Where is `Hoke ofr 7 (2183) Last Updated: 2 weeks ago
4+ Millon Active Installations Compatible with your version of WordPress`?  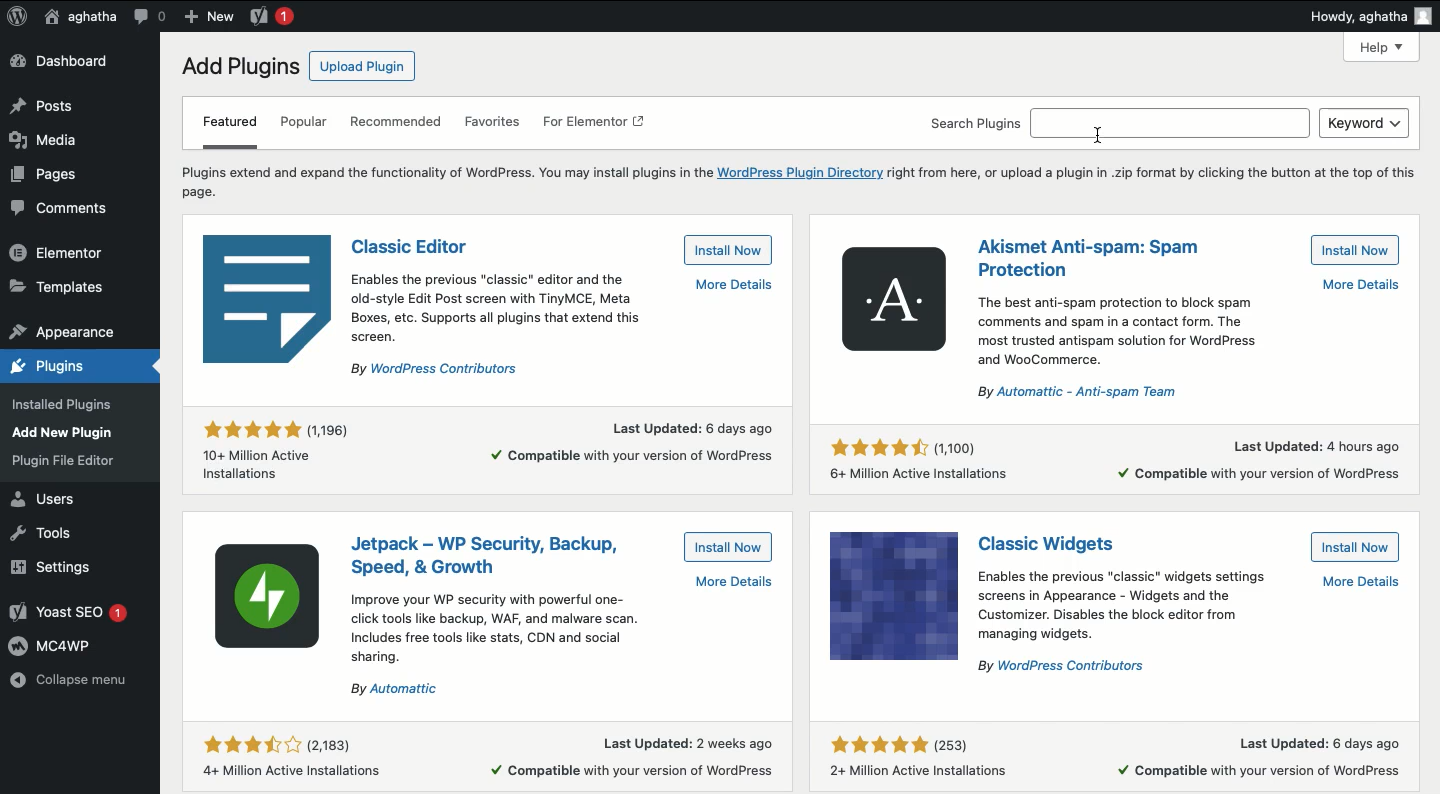 Hoke ofr 7 (2183) Last Updated: 2 weeks ago
4+ Millon Active Installations Compatible with your version of WordPress is located at coordinates (488, 754).